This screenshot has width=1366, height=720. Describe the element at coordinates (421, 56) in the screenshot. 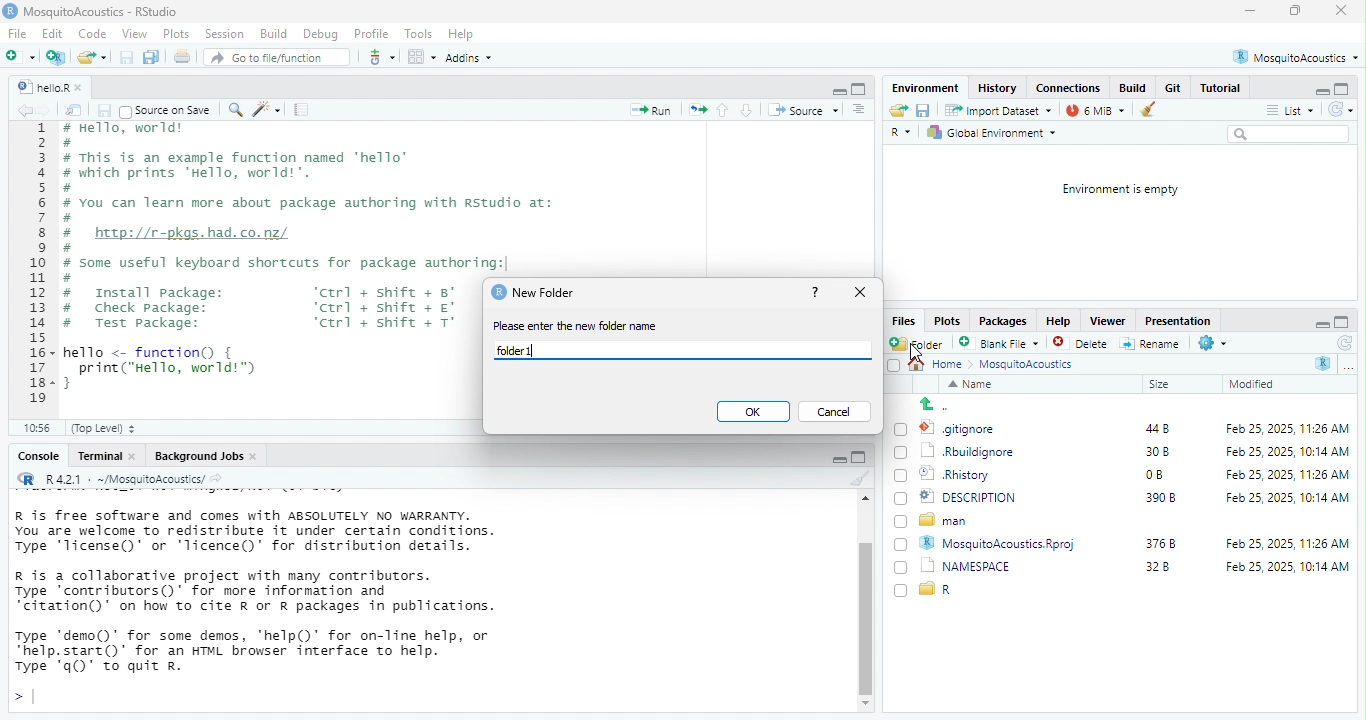

I see `option` at that location.